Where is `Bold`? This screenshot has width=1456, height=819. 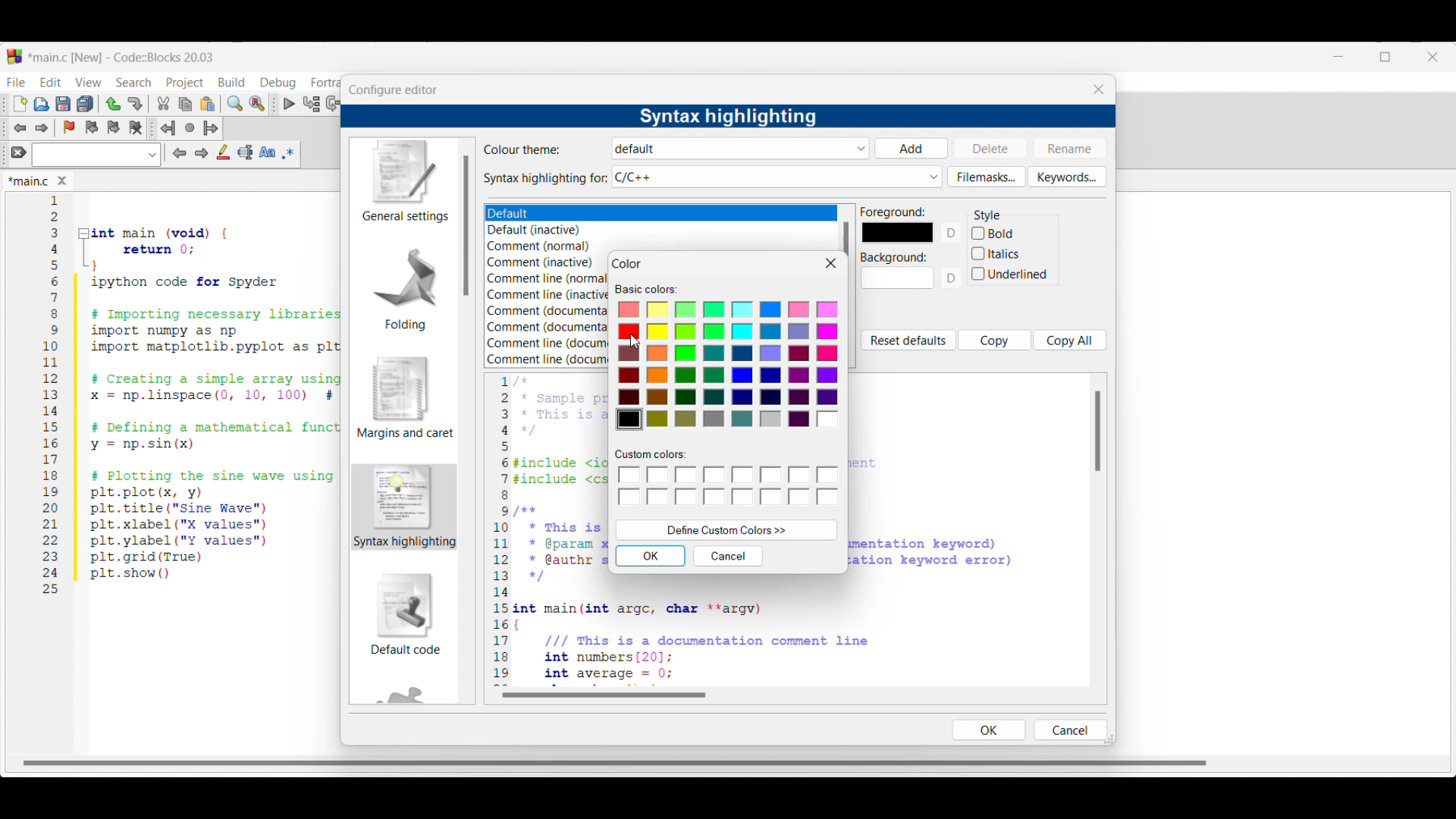 Bold is located at coordinates (1011, 232).